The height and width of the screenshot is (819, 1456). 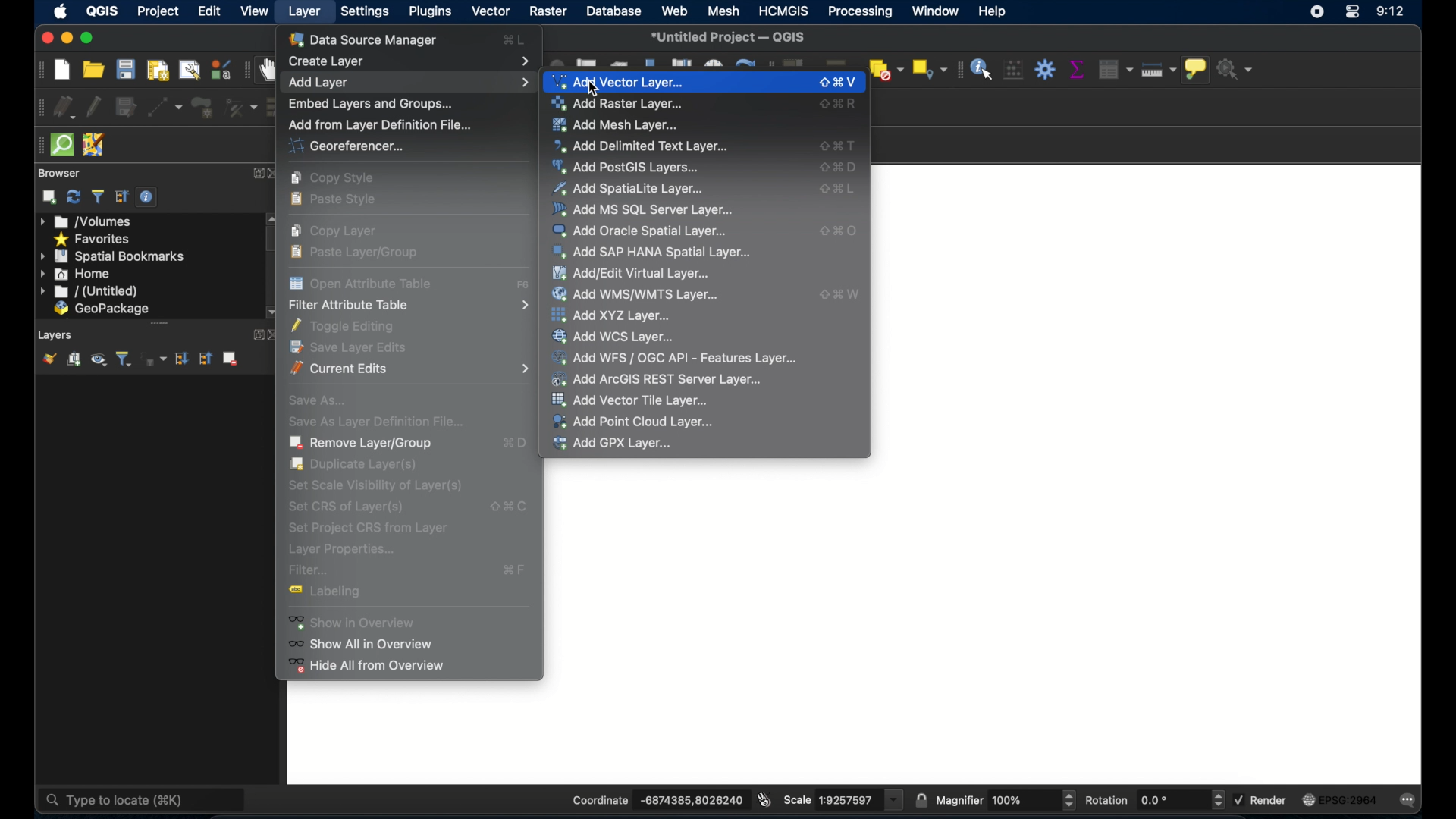 What do you see at coordinates (158, 361) in the screenshot?
I see `filter legend by expression` at bounding box center [158, 361].